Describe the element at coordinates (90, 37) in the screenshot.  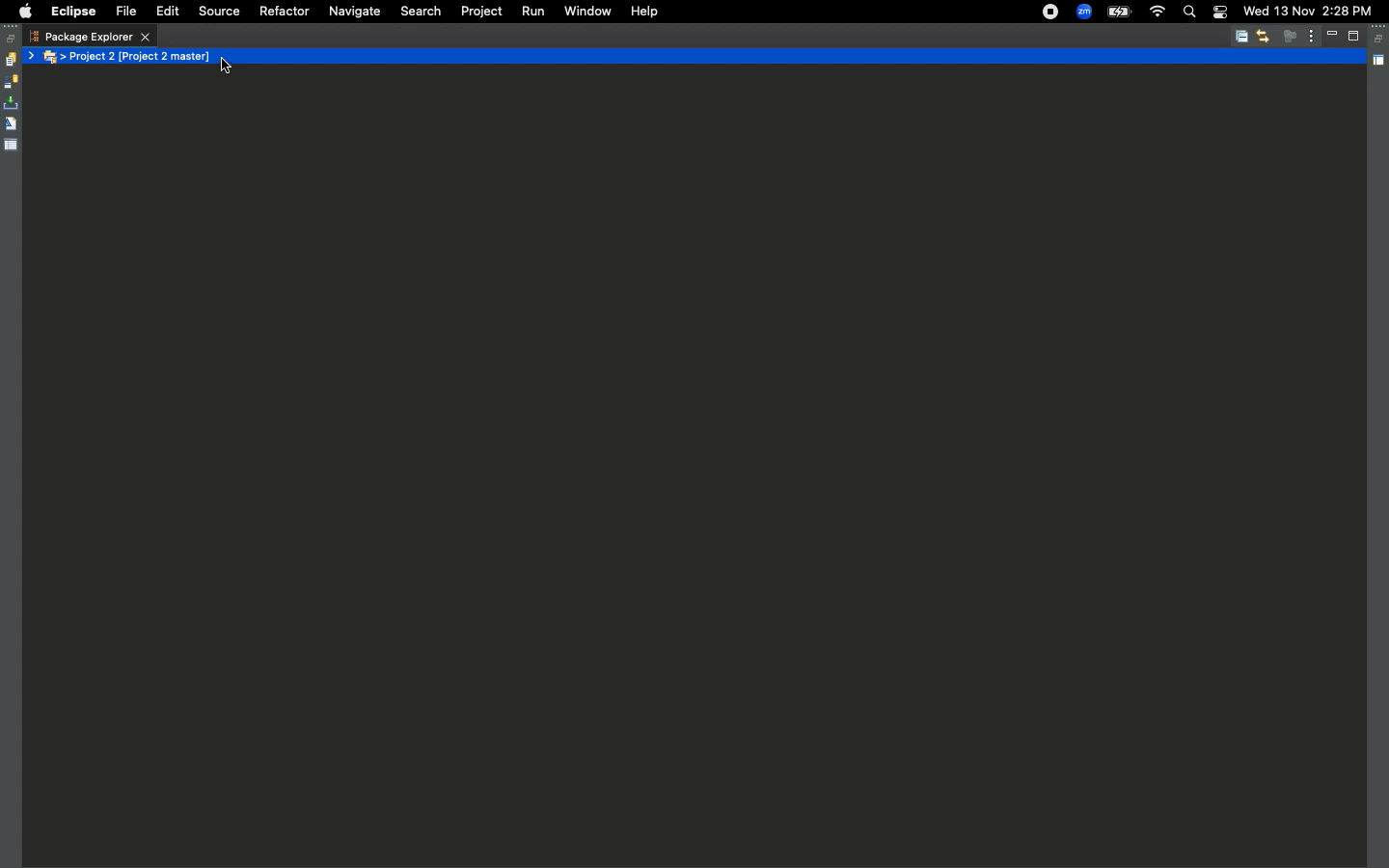
I see `Package explorer` at that location.